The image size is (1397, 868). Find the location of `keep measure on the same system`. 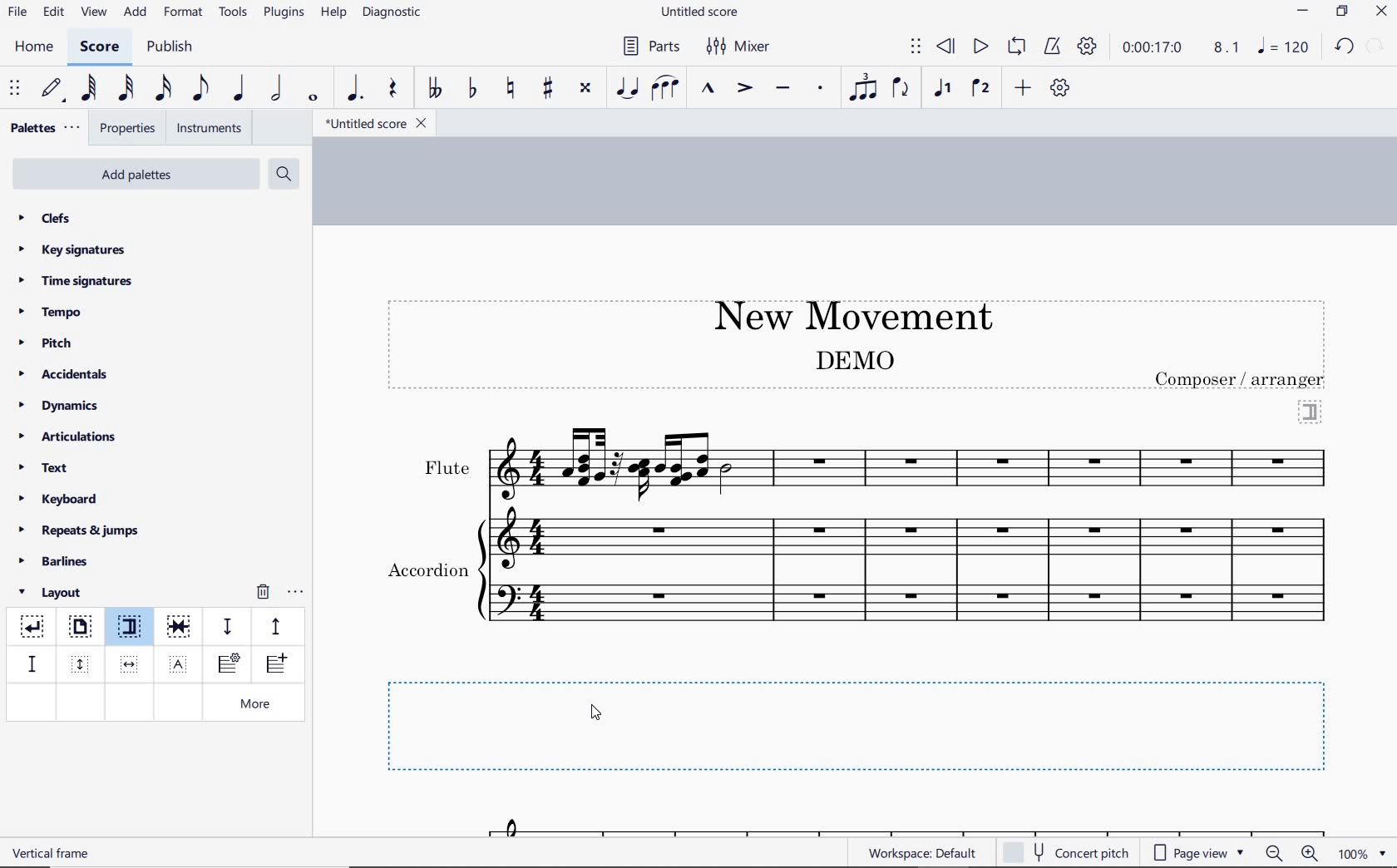

keep measure on the same system is located at coordinates (180, 627).